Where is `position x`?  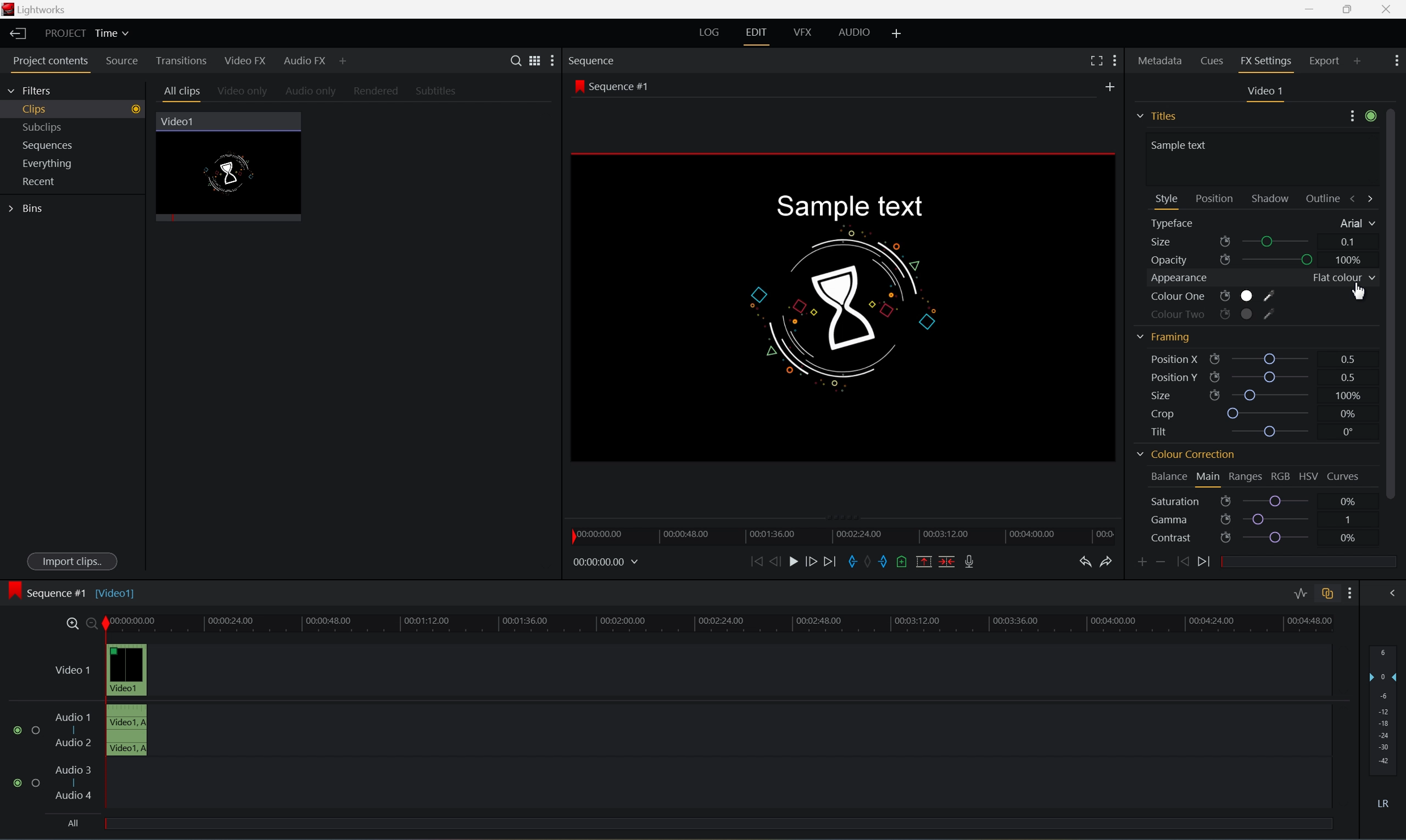 position x is located at coordinates (1186, 359).